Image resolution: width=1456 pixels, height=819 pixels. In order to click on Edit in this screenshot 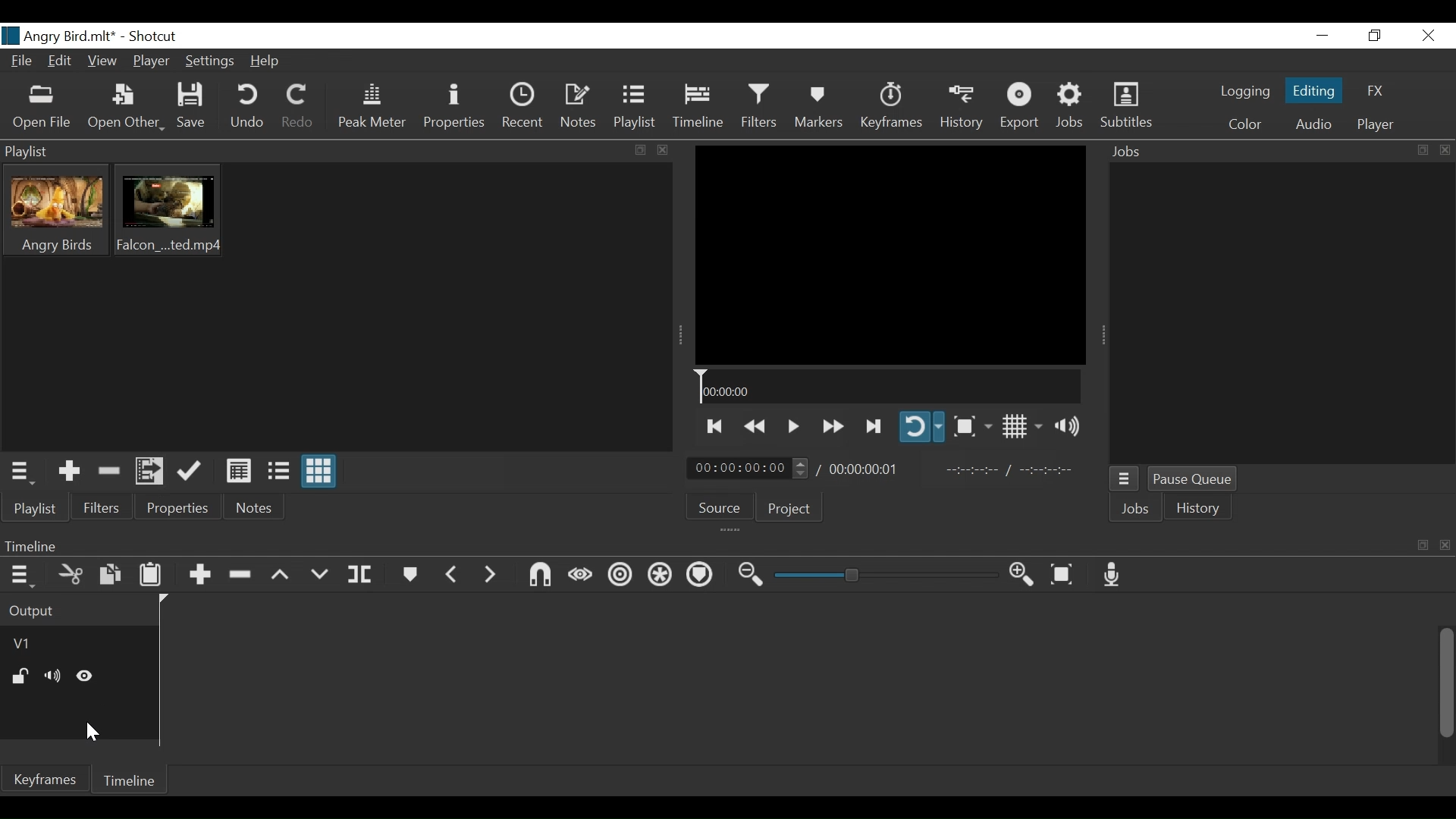, I will do `click(61, 61)`.